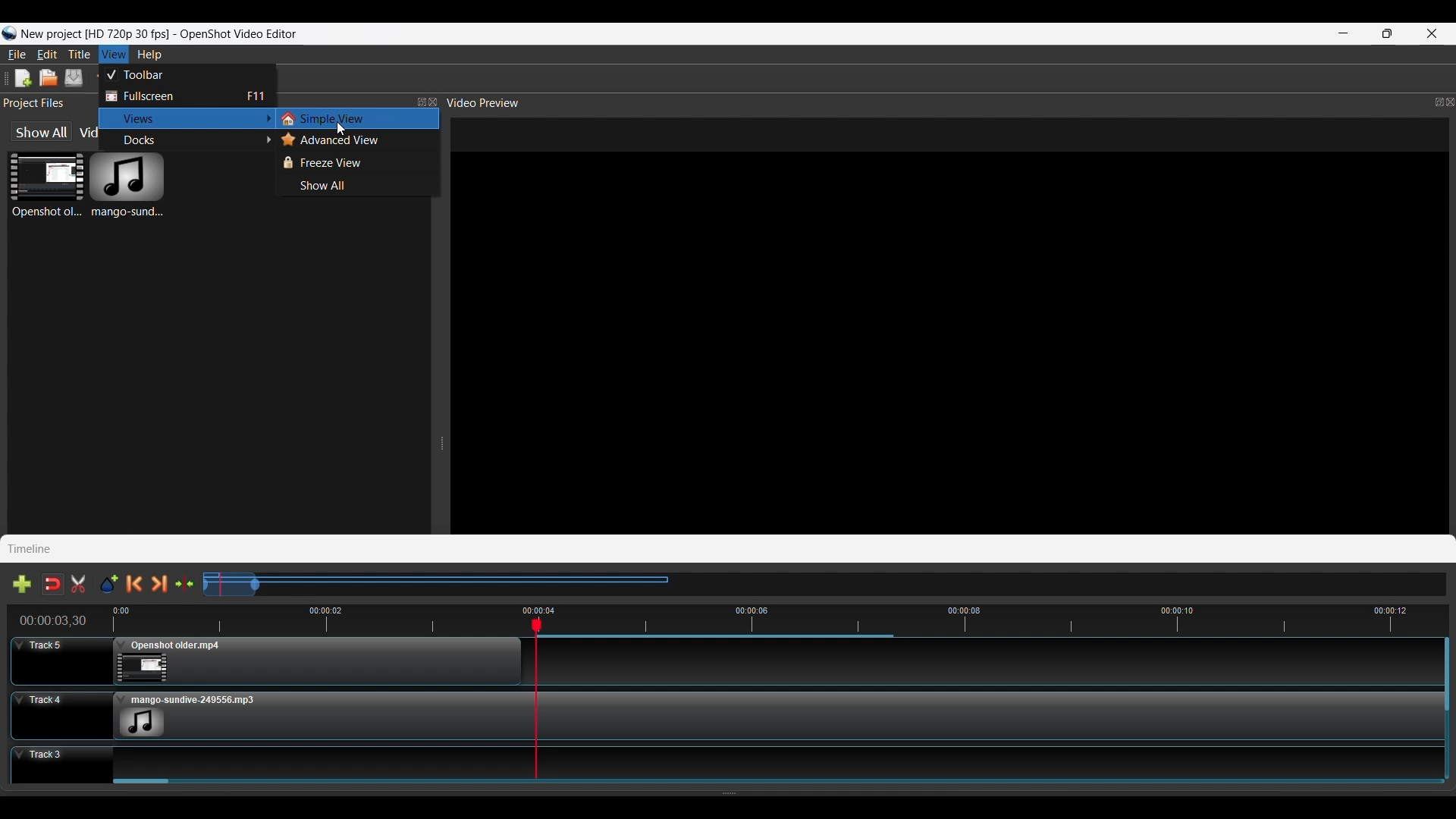 This screenshot has height=819, width=1456. Describe the element at coordinates (413, 102) in the screenshot. I see `Maximize` at that location.